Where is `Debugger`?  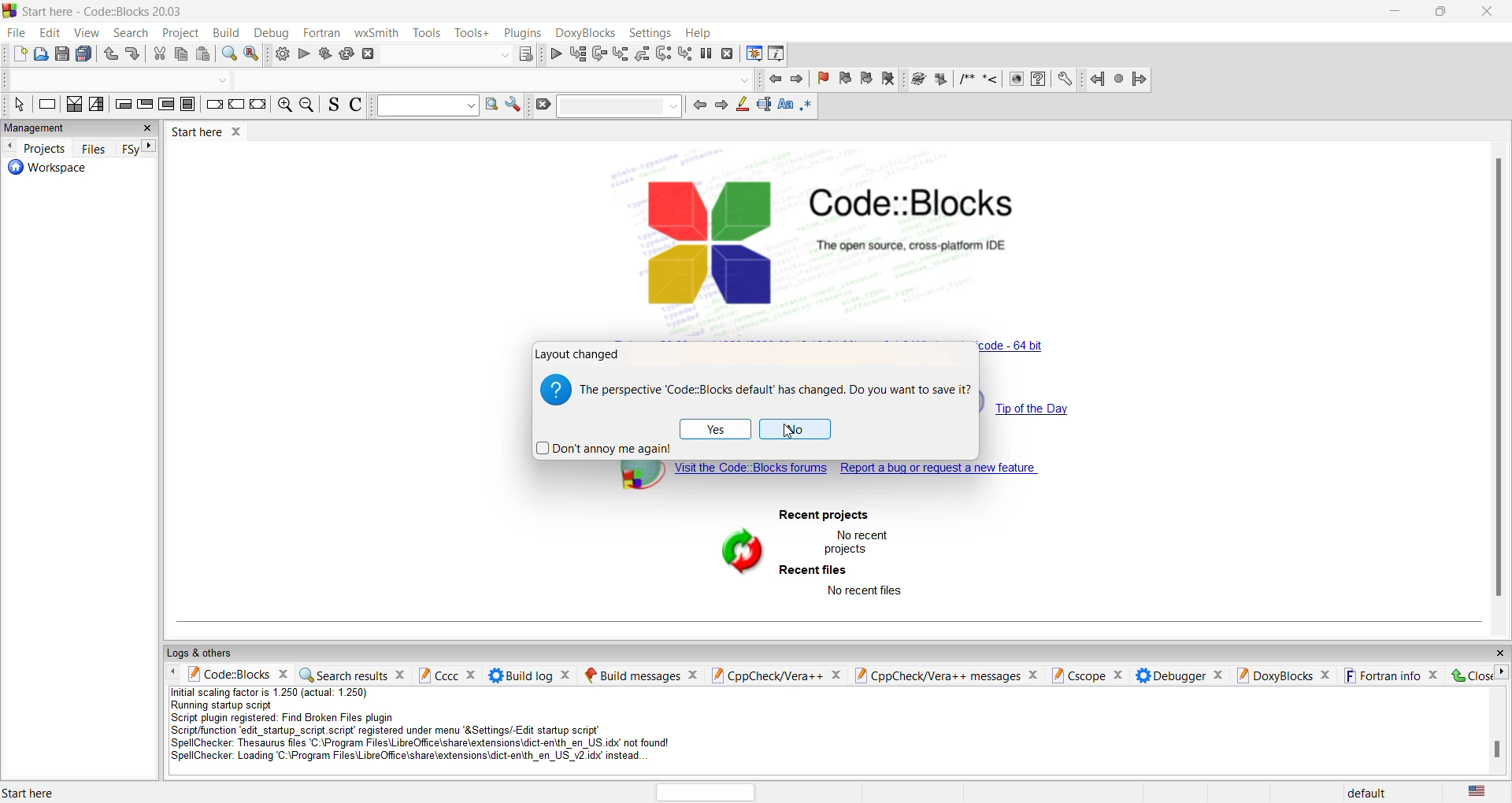 Debugger is located at coordinates (1179, 675).